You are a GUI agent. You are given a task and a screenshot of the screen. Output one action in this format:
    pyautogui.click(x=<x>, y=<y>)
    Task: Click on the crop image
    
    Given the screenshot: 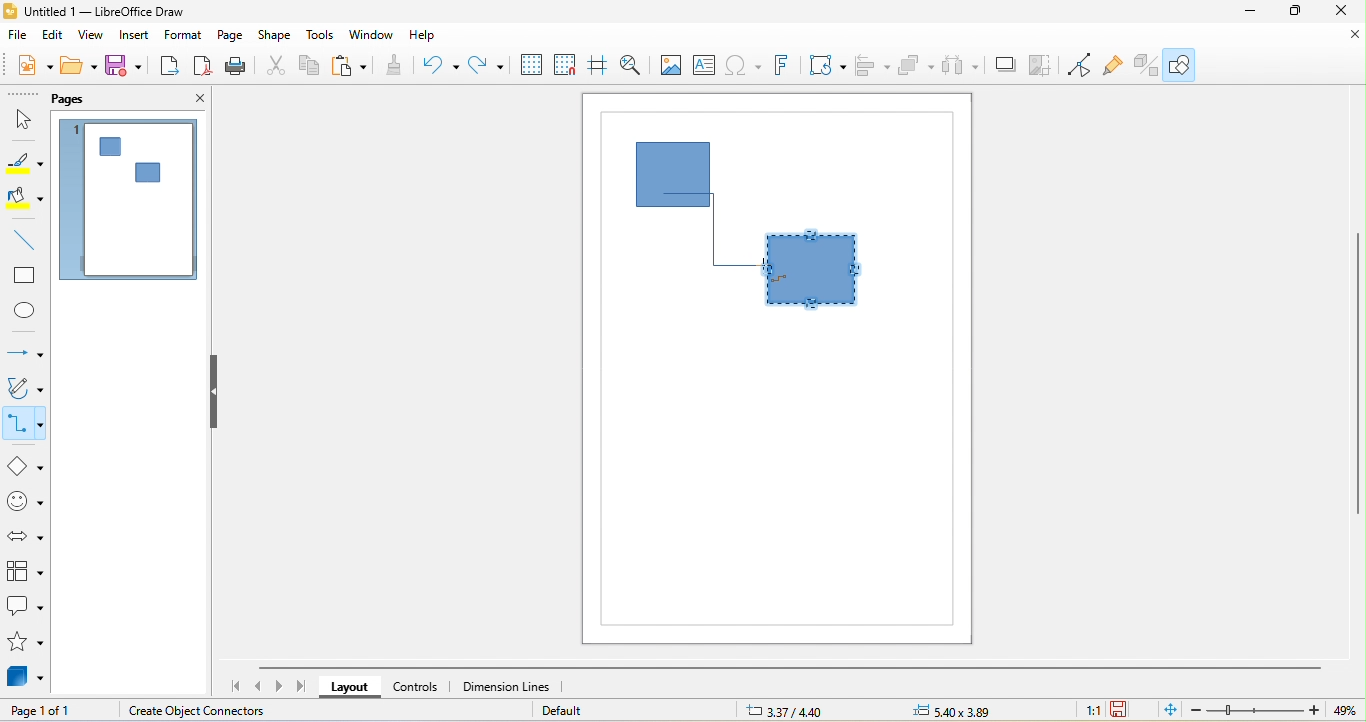 What is the action you would take?
    pyautogui.click(x=1044, y=65)
    